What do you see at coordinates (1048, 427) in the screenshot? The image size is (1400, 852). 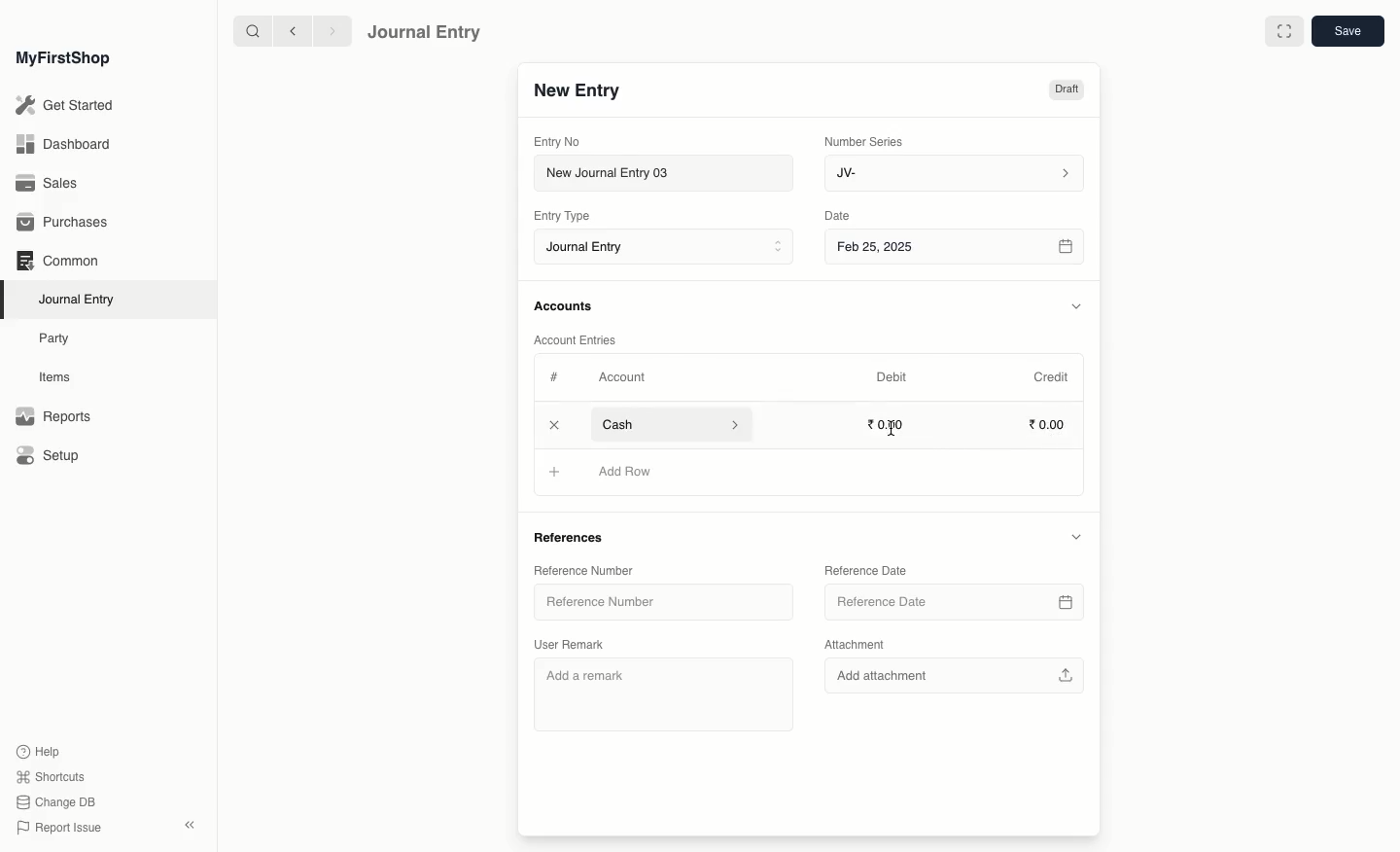 I see `0.00` at bounding box center [1048, 427].